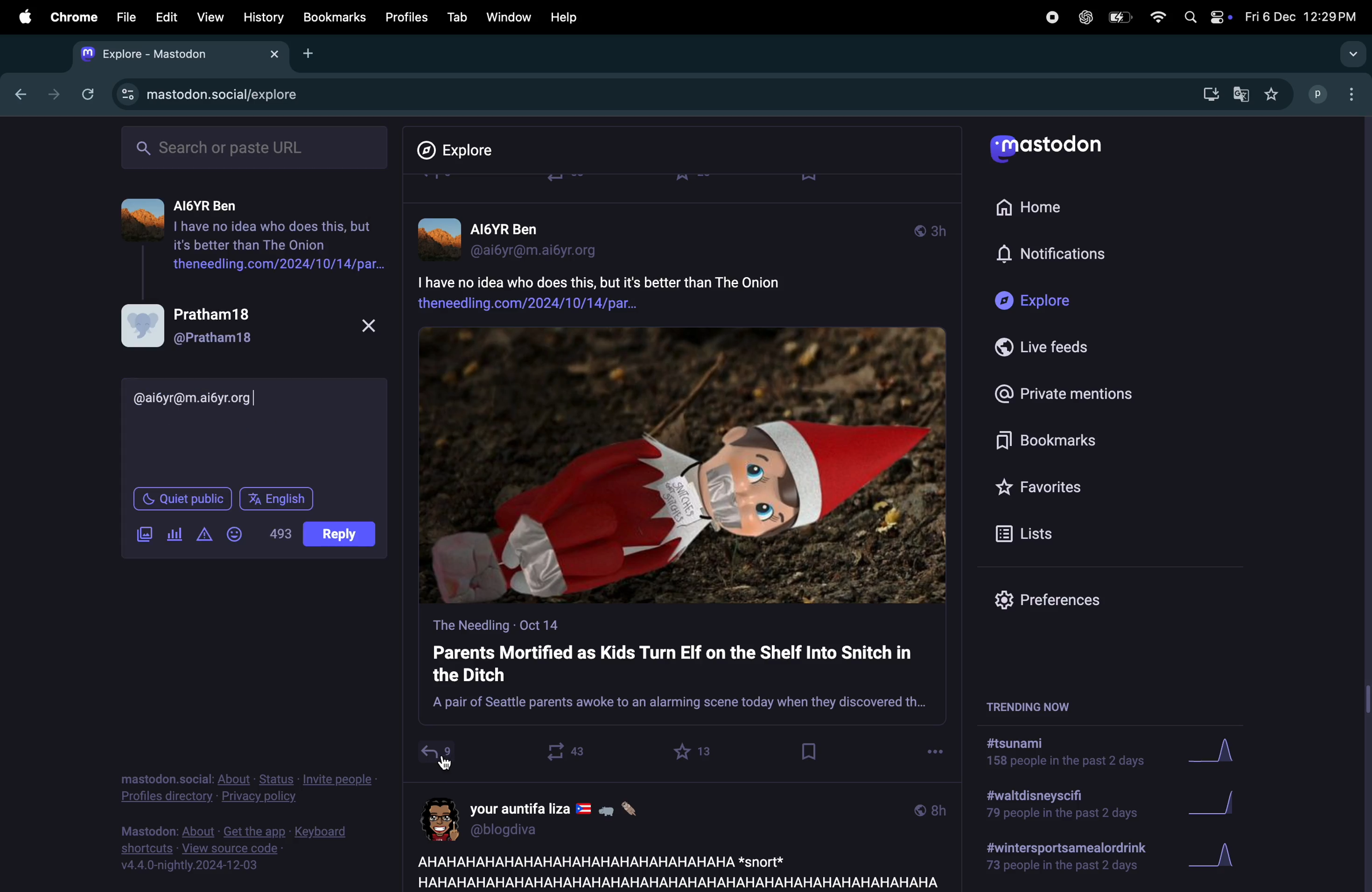 This screenshot has height=892, width=1372. I want to click on mastodo explore, so click(205, 92).